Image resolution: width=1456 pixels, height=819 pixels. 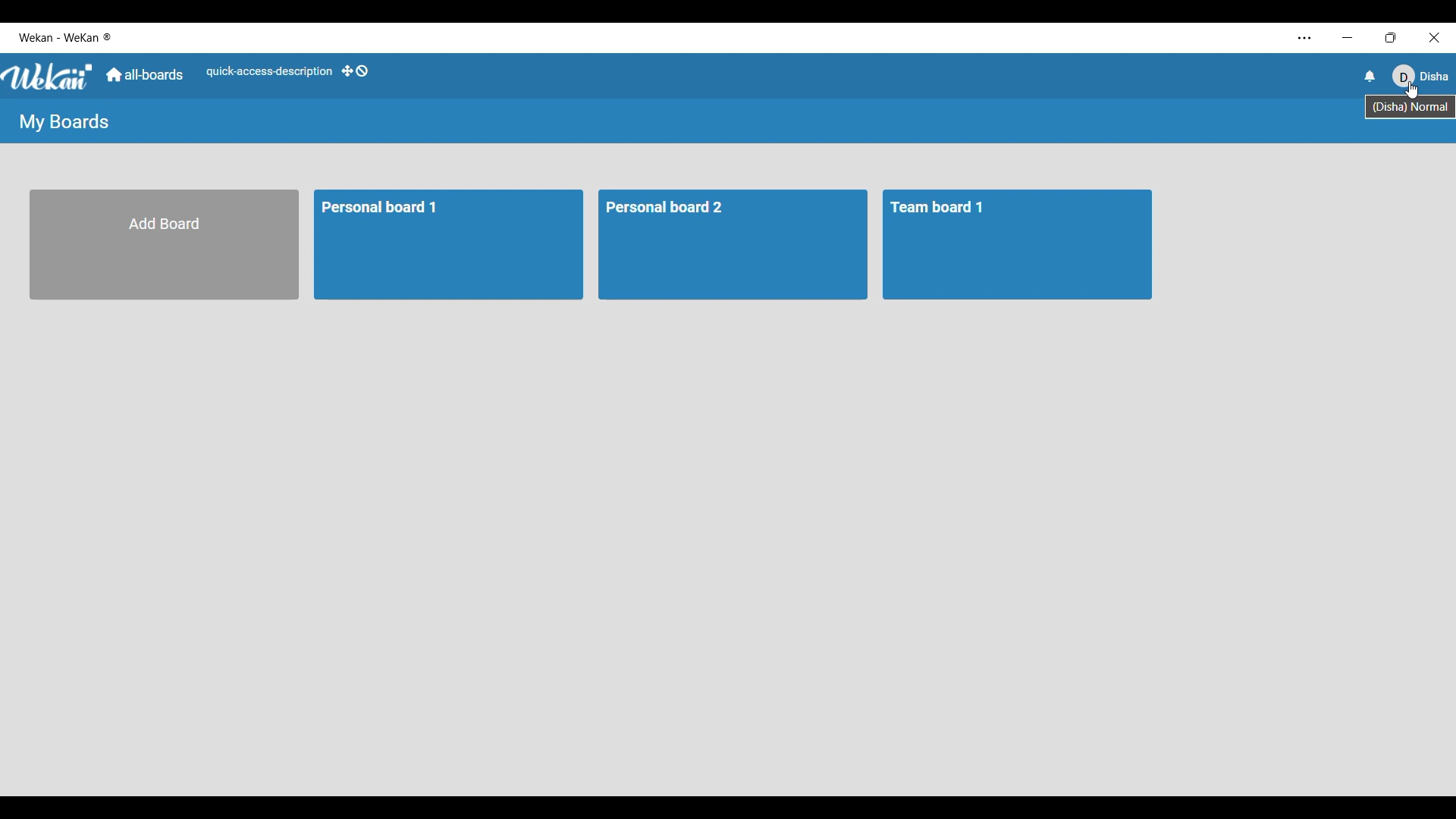 I want to click on Quick access description, so click(x=268, y=71).